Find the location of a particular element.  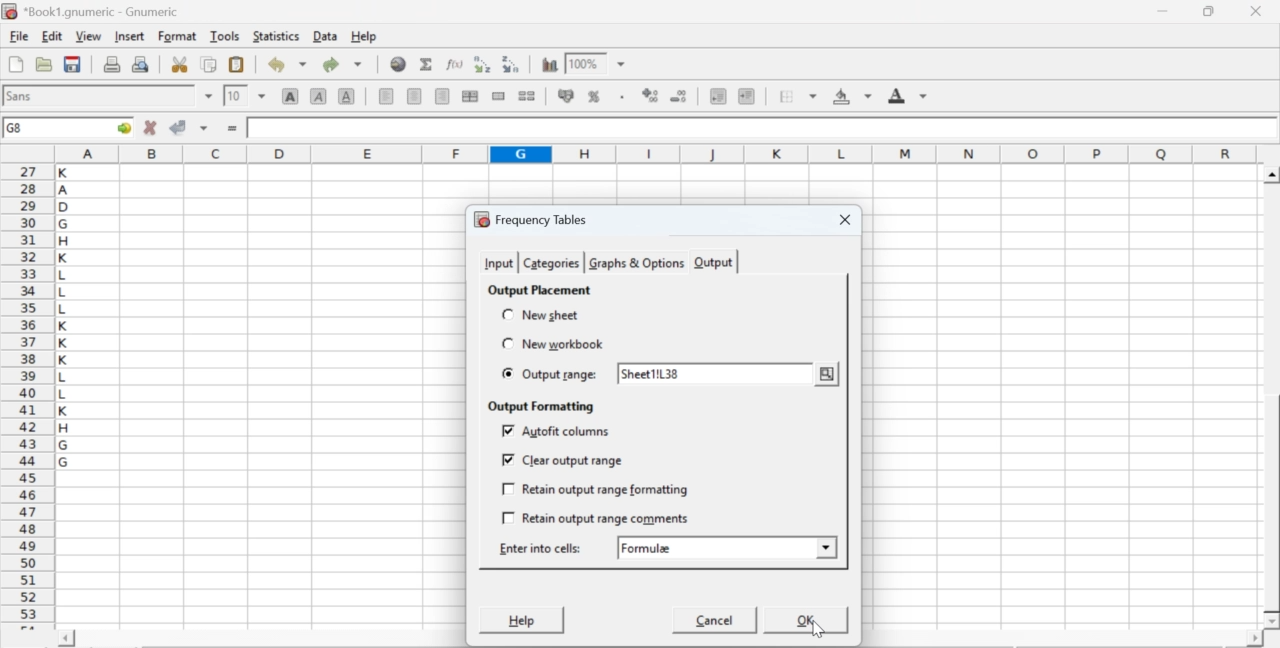

Help is located at coordinates (520, 620).